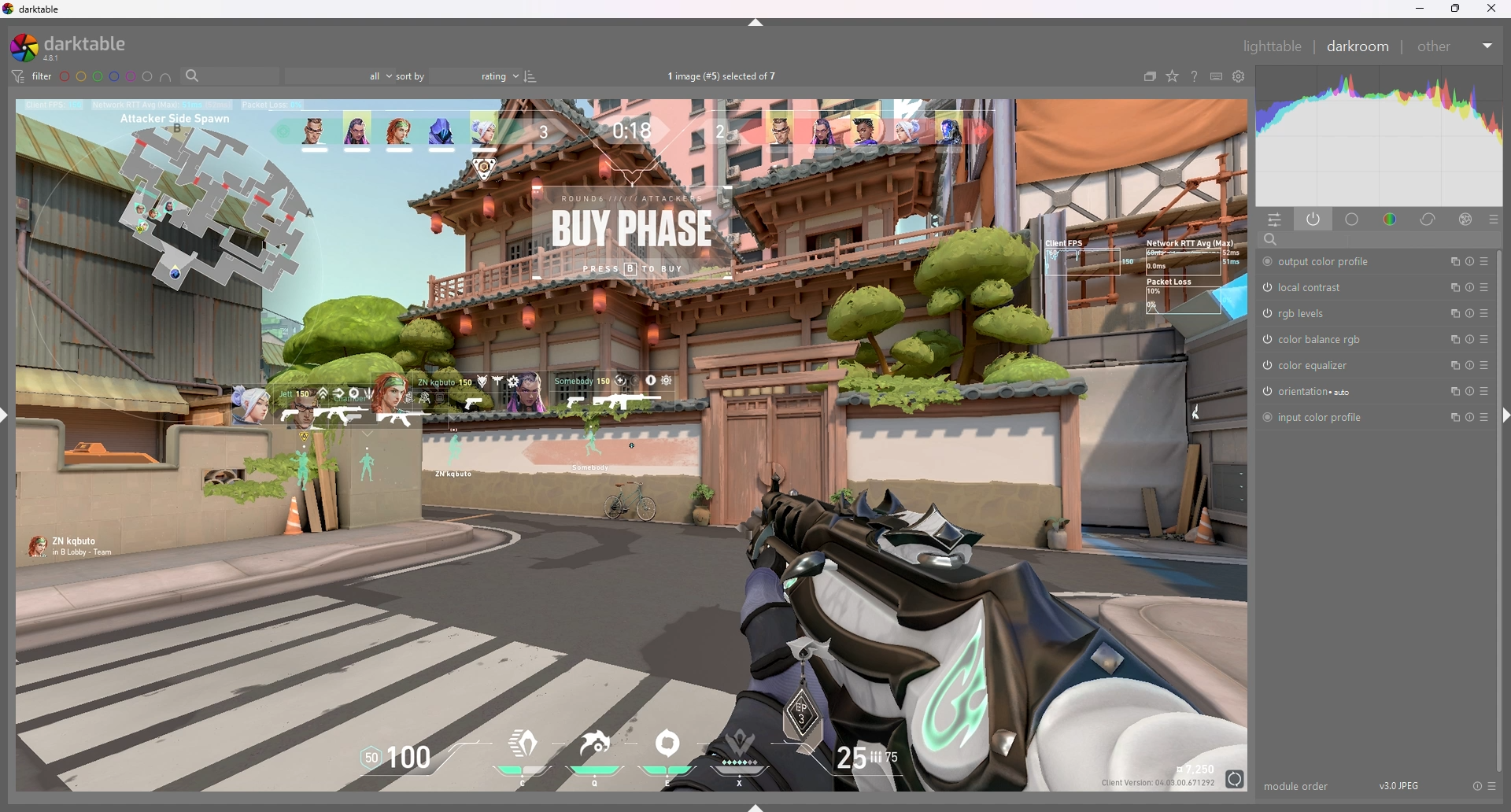 This screenshot has height=812, width=1511. What do you see at coordinates (1403, 785) in the screenshot?
I see `version` at bounding box center [1403, 785].